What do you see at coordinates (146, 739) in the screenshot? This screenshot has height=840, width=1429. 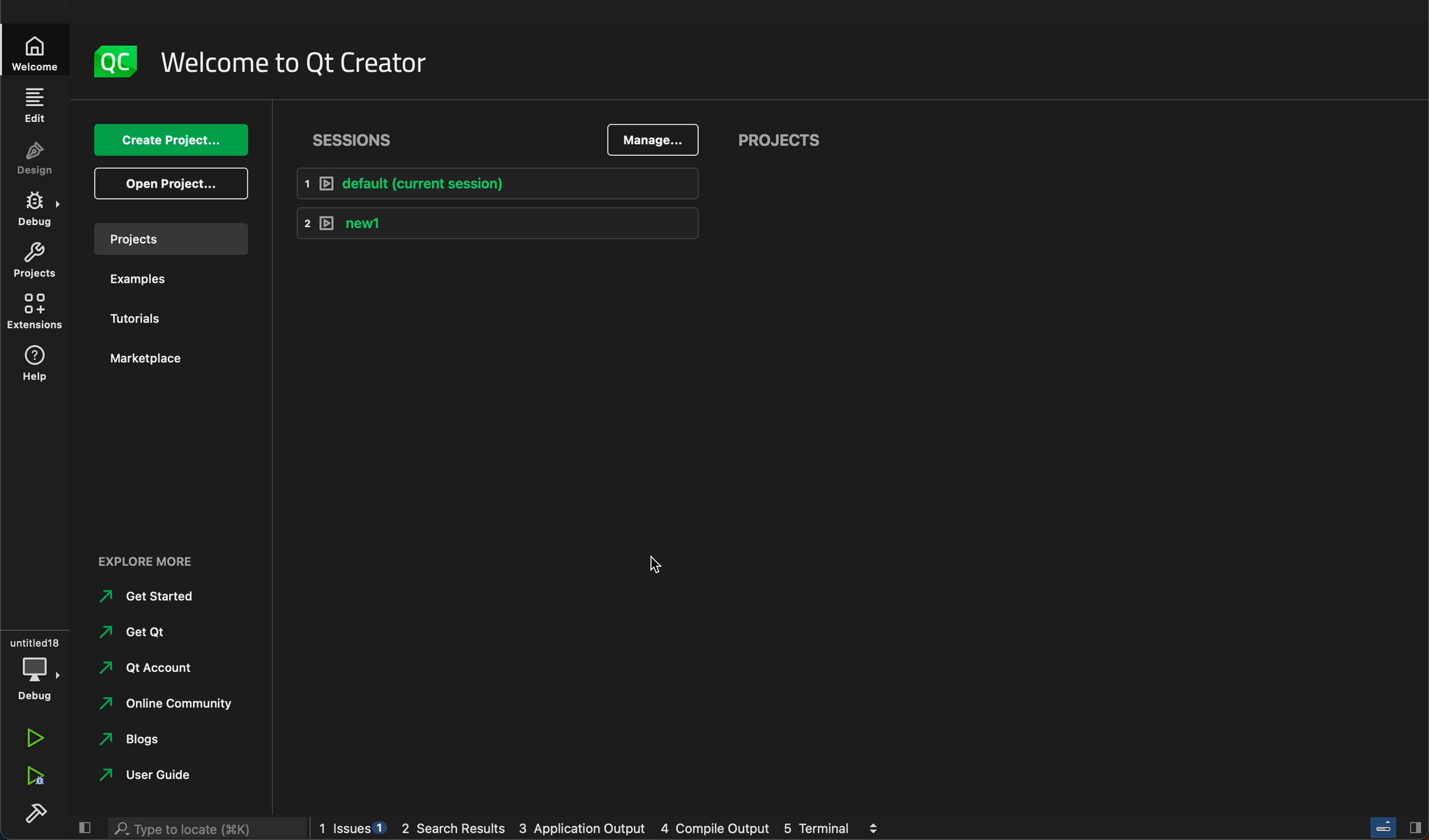 I see `blogs` at bounding box center [146, 739].